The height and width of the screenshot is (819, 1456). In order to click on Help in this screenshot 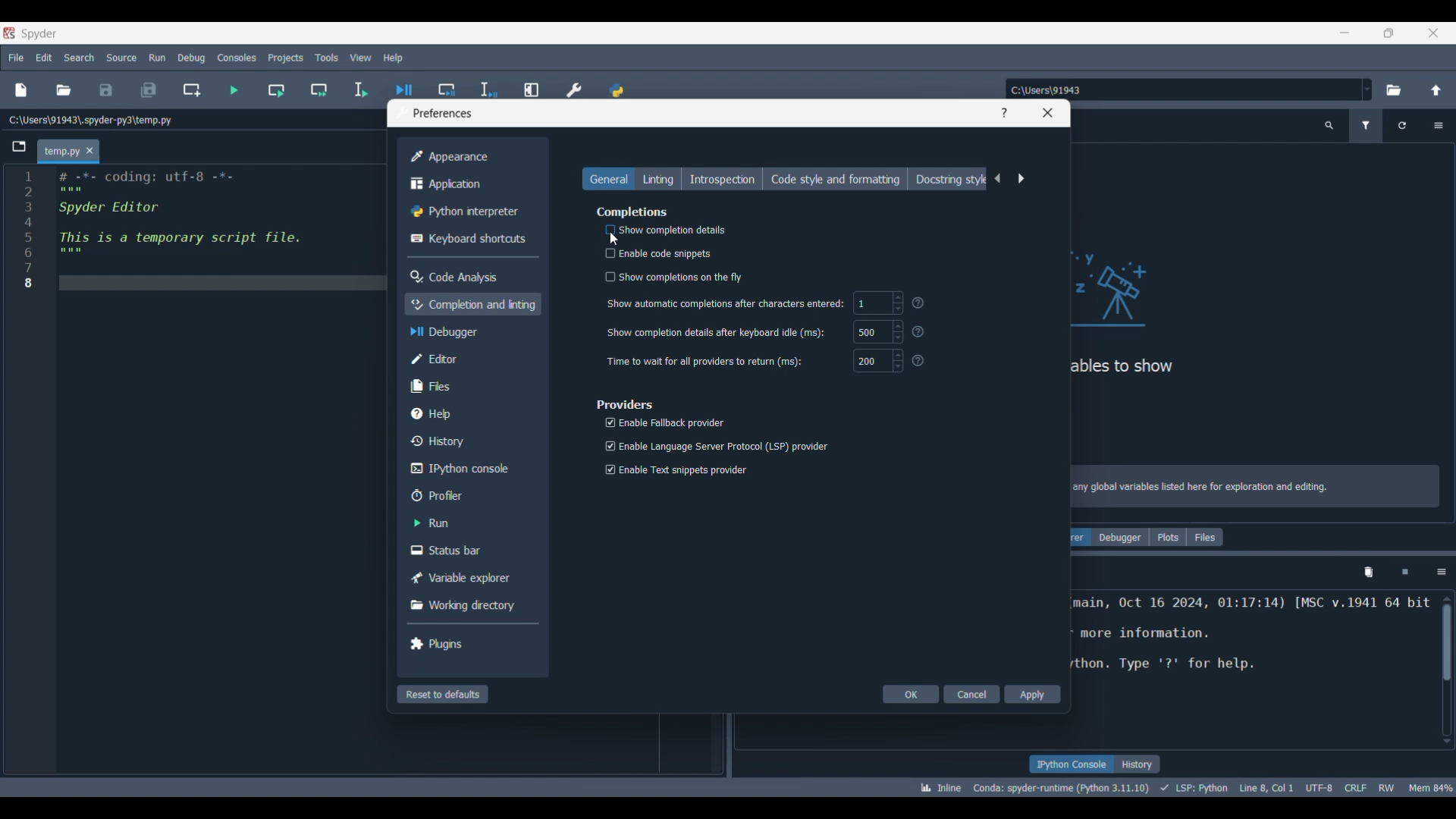, I will do `click(1003, 113)`.